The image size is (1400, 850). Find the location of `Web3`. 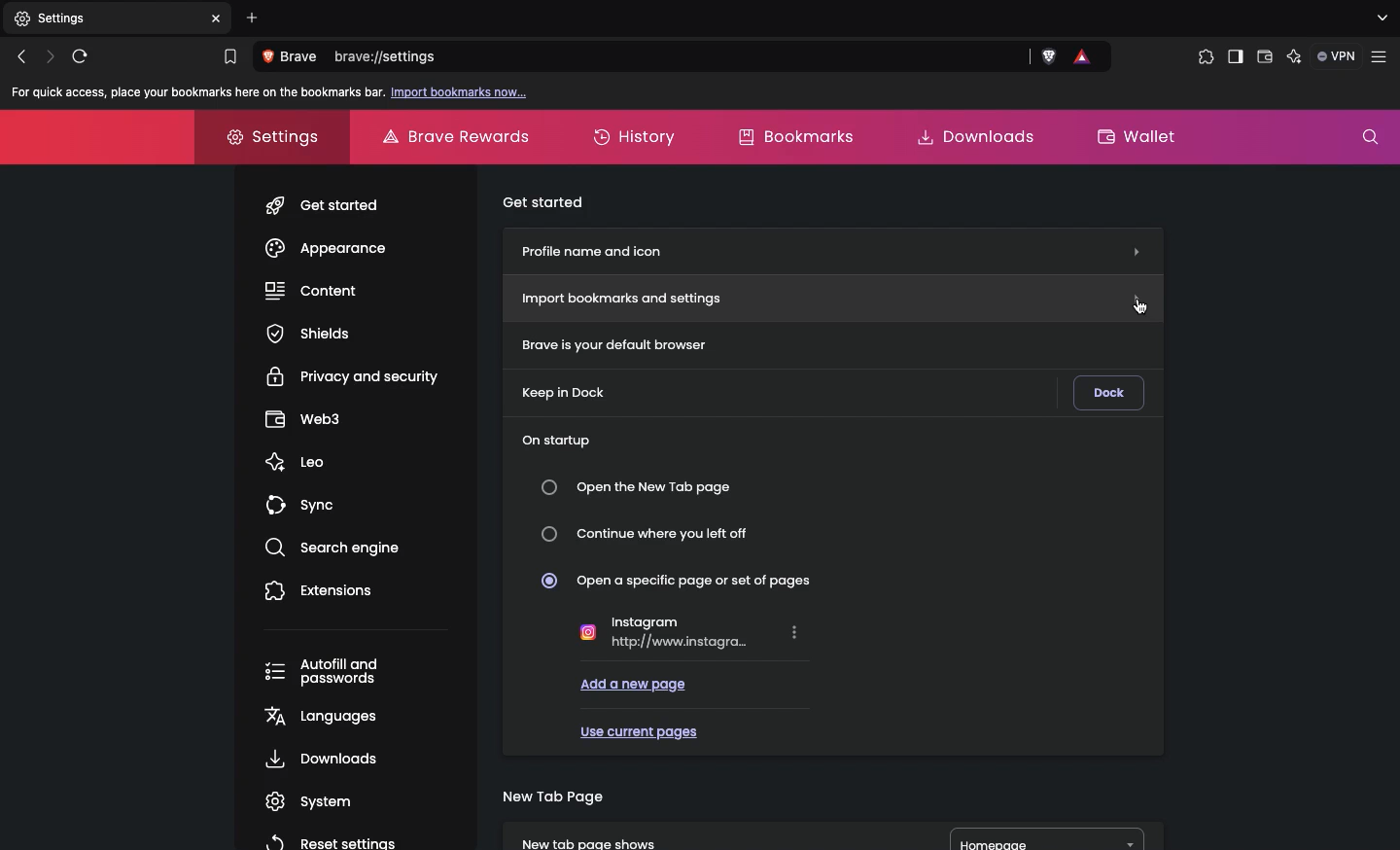

Web3 is located at coordinates (303, 416).